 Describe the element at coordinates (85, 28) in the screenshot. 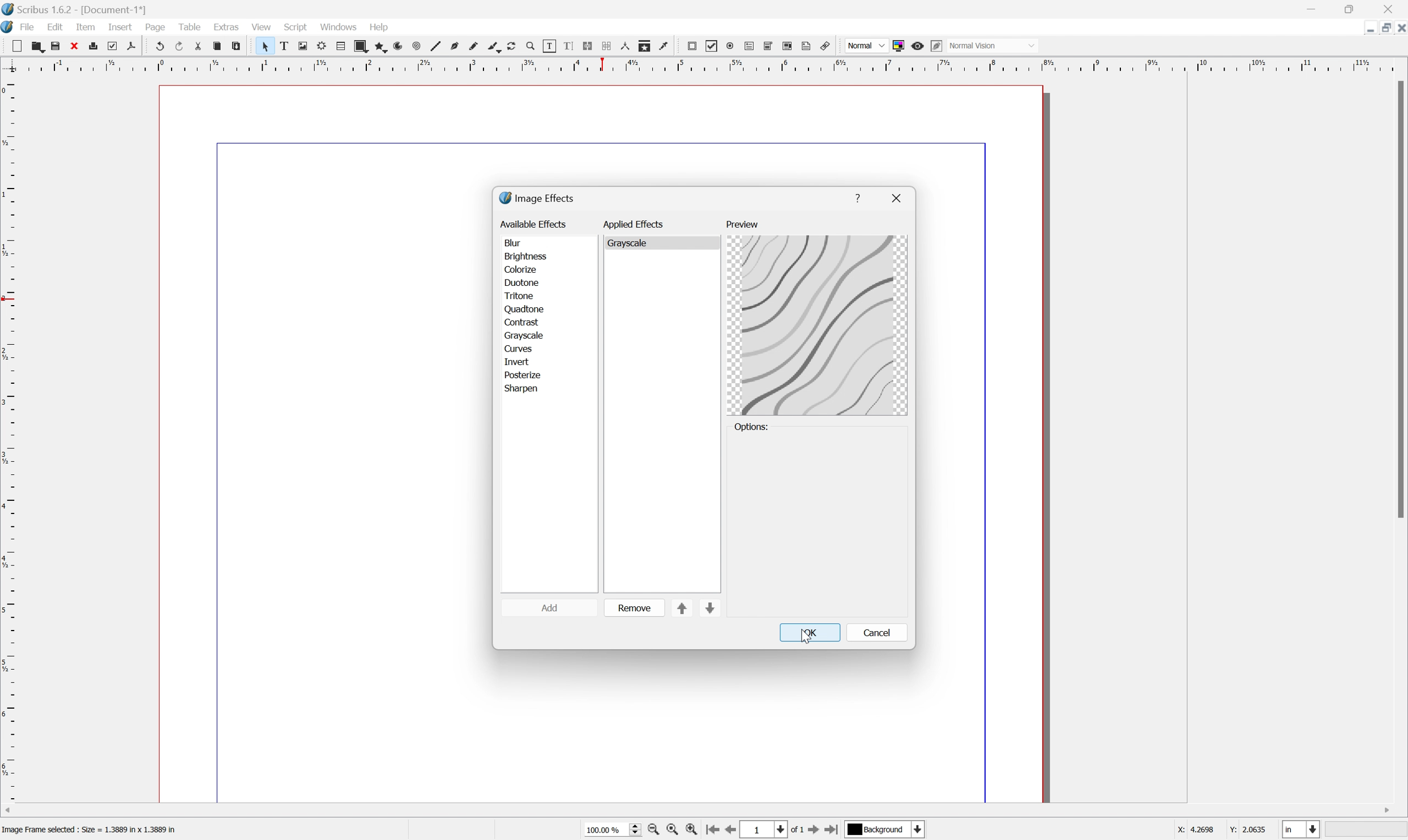

I see `Item` at that location.